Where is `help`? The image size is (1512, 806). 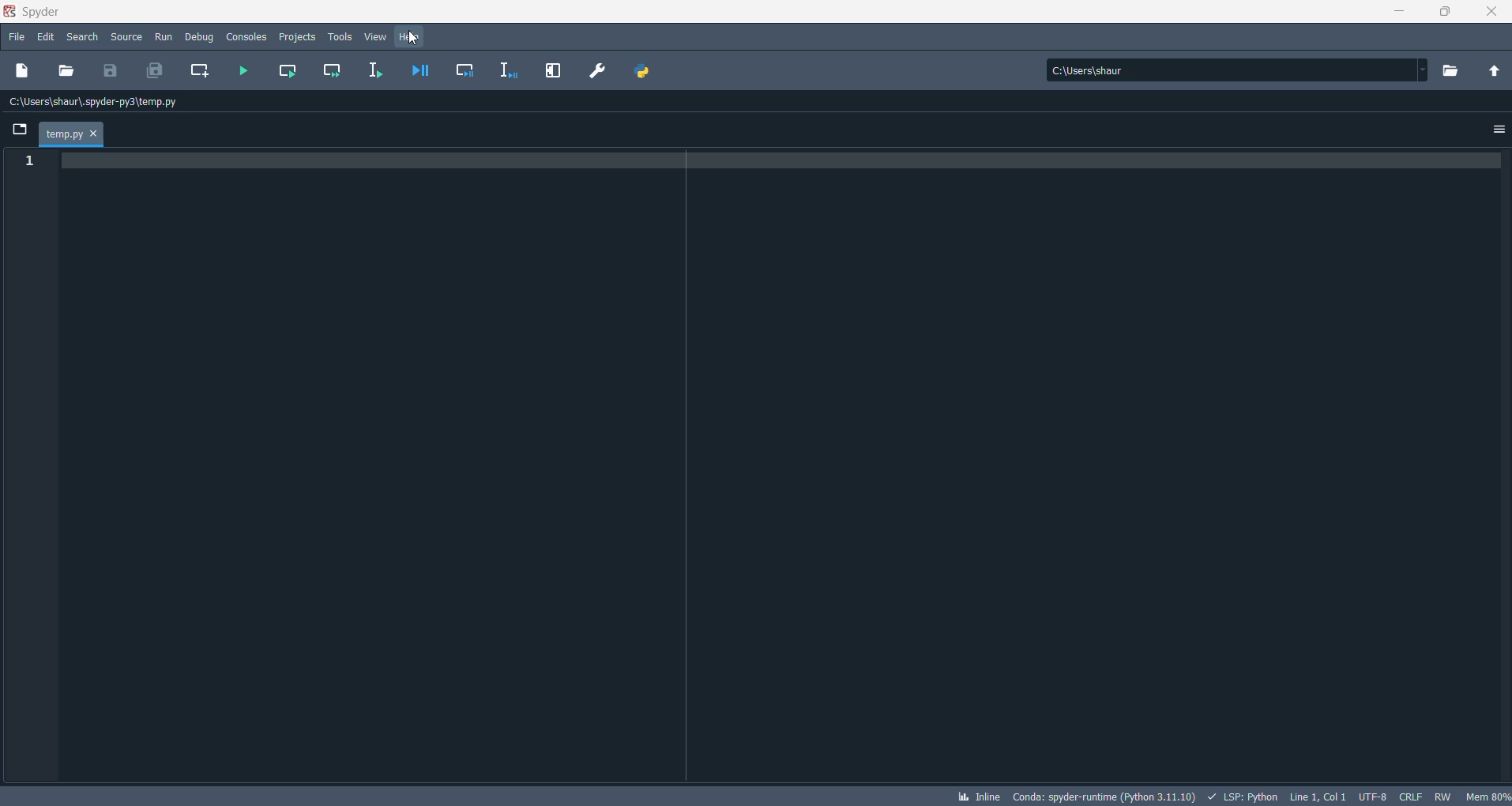 help is located at coordinates (412, 37).